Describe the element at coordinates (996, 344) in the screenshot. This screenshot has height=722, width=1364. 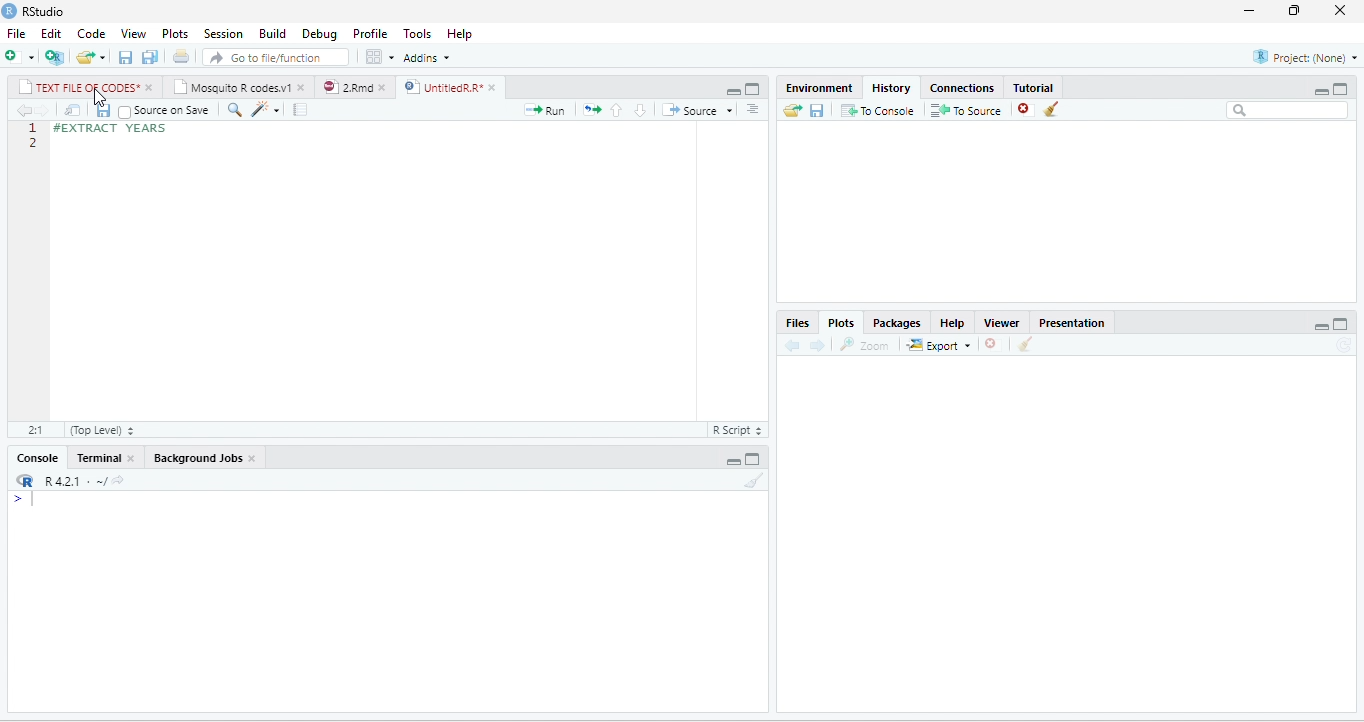
I see `close file` at that location.